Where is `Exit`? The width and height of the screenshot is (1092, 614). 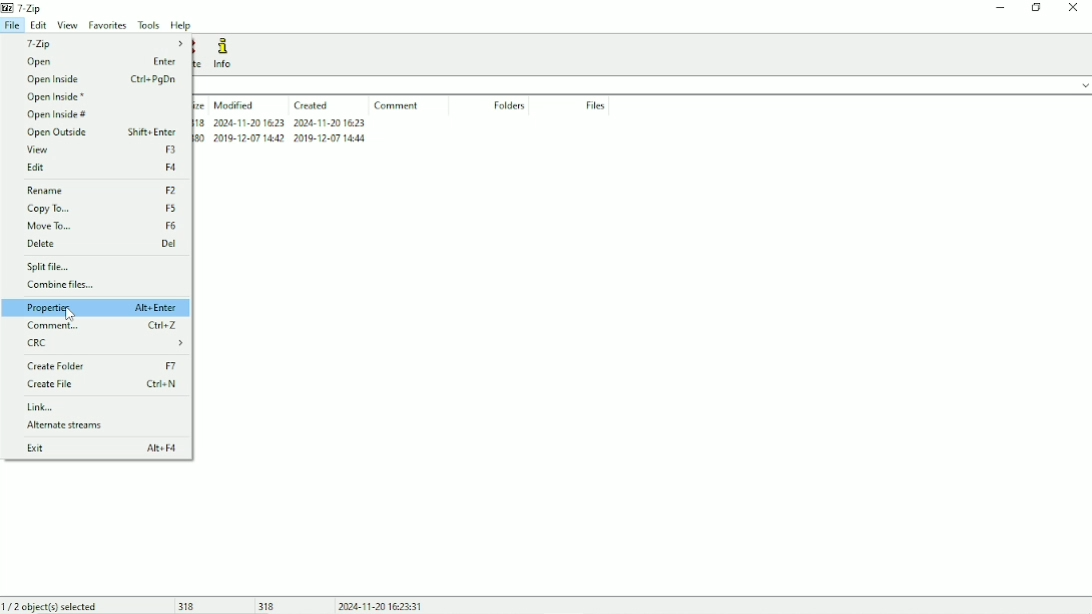 Exit is located at coordinates (104, 449).